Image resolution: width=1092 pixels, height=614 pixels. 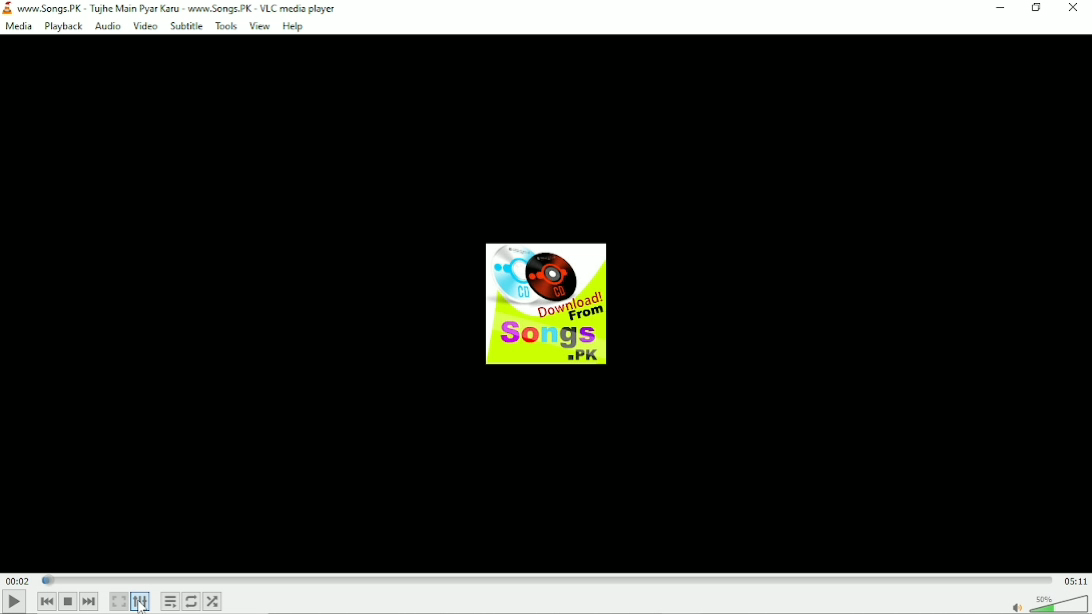 I want to click on Cursor, so click(x=145, y=608).